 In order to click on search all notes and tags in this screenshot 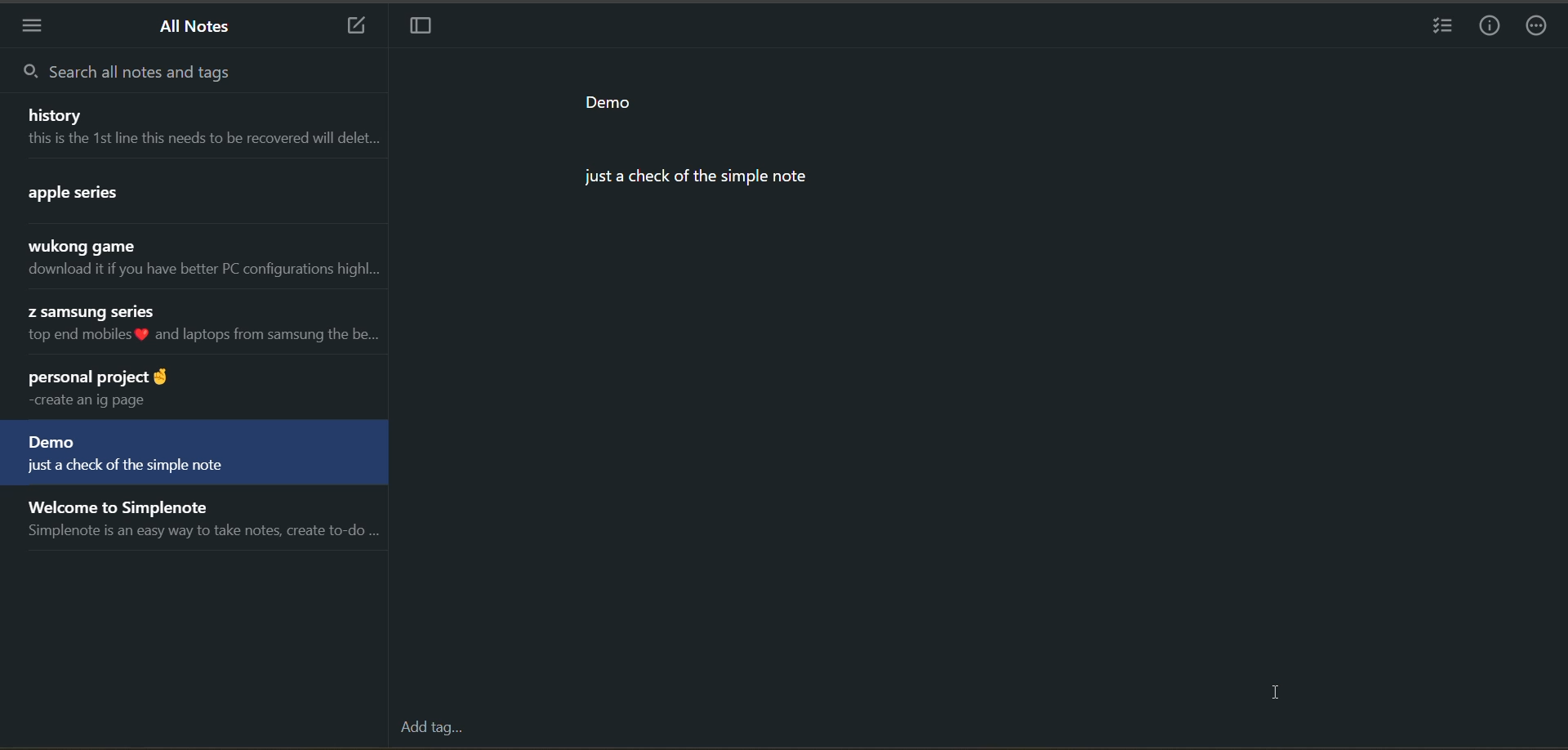, I will do `click(132, 73)`.